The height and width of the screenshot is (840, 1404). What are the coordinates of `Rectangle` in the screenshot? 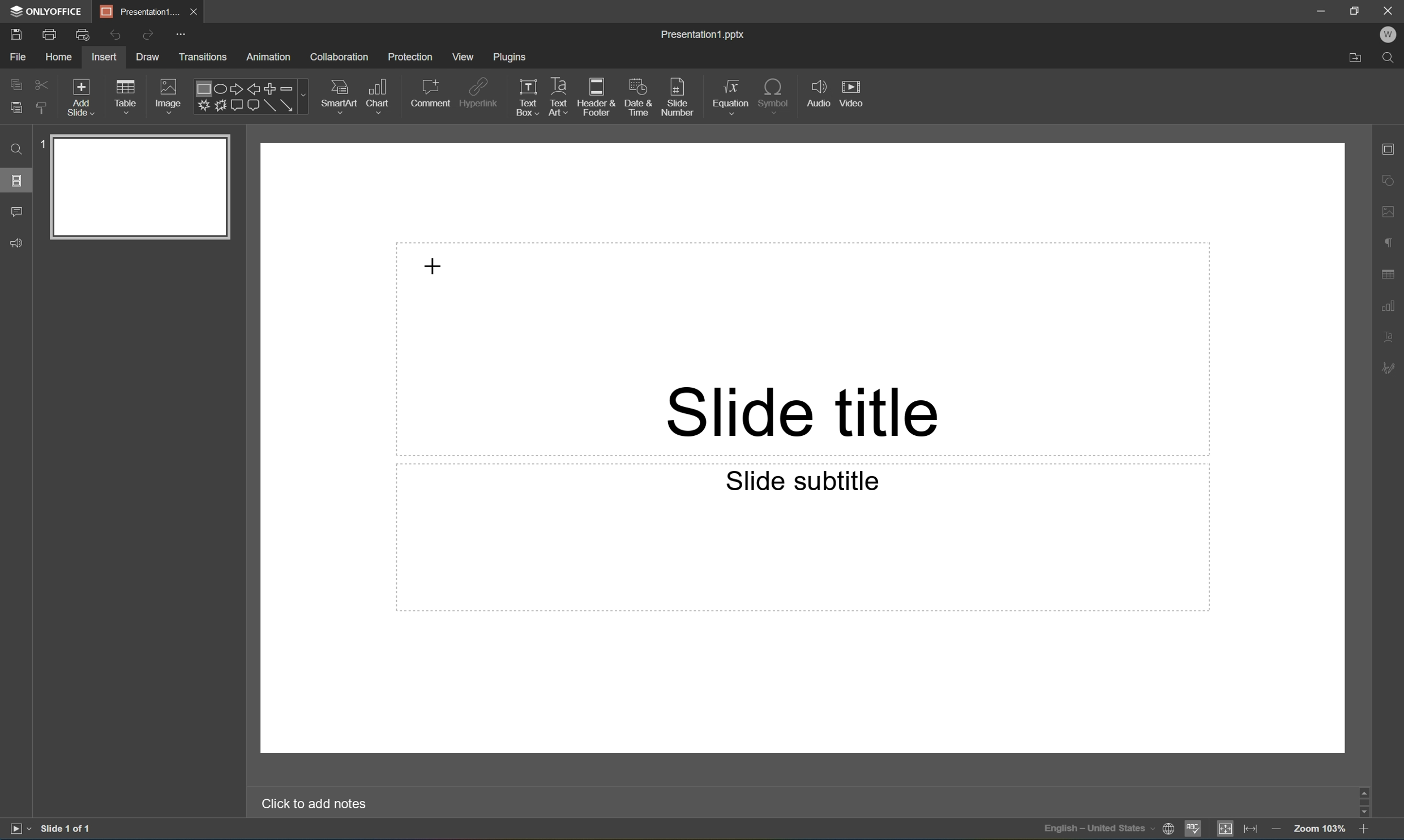 It's located at (201, 89).